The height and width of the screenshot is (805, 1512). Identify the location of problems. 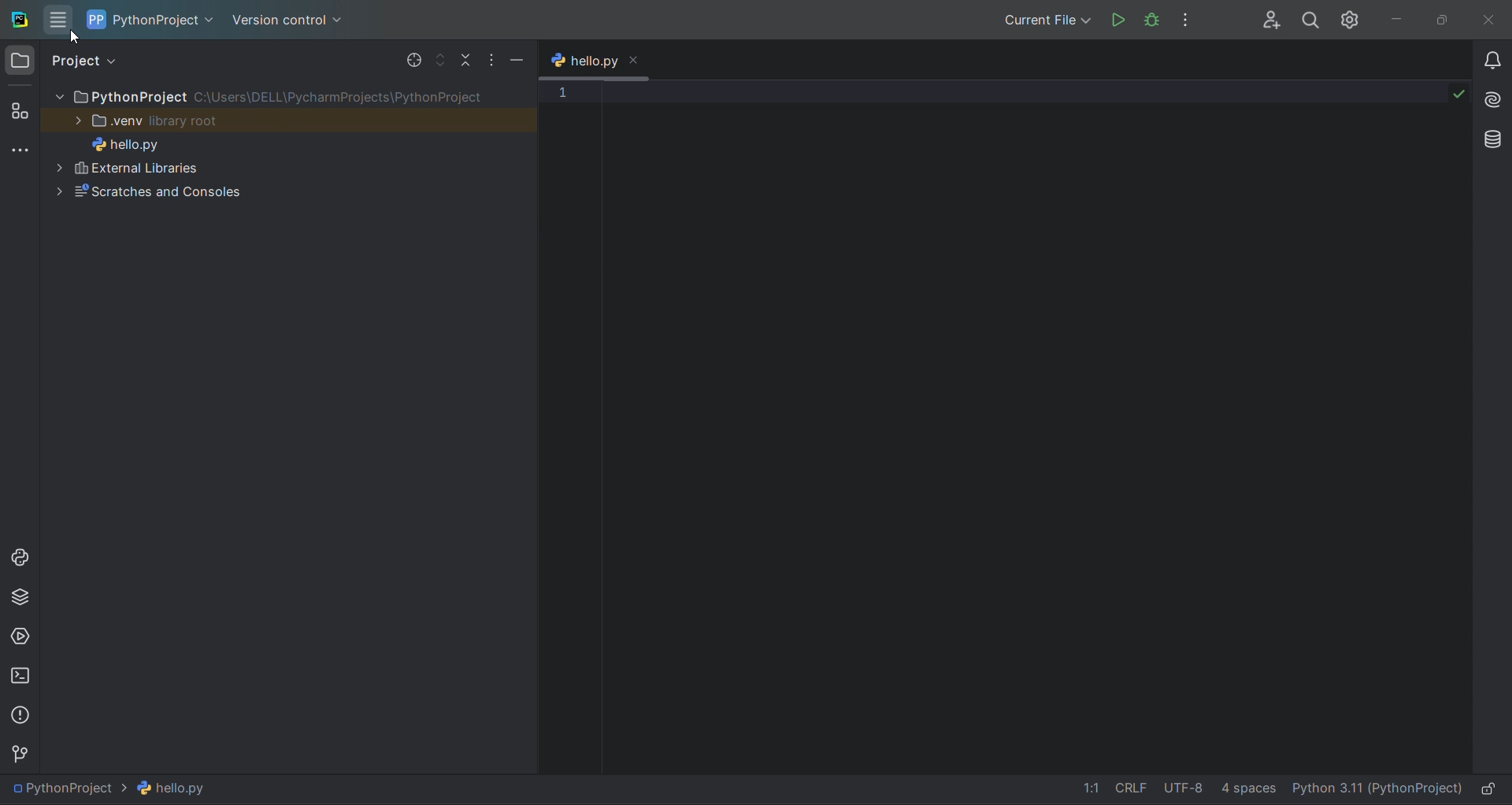
(17, 712).